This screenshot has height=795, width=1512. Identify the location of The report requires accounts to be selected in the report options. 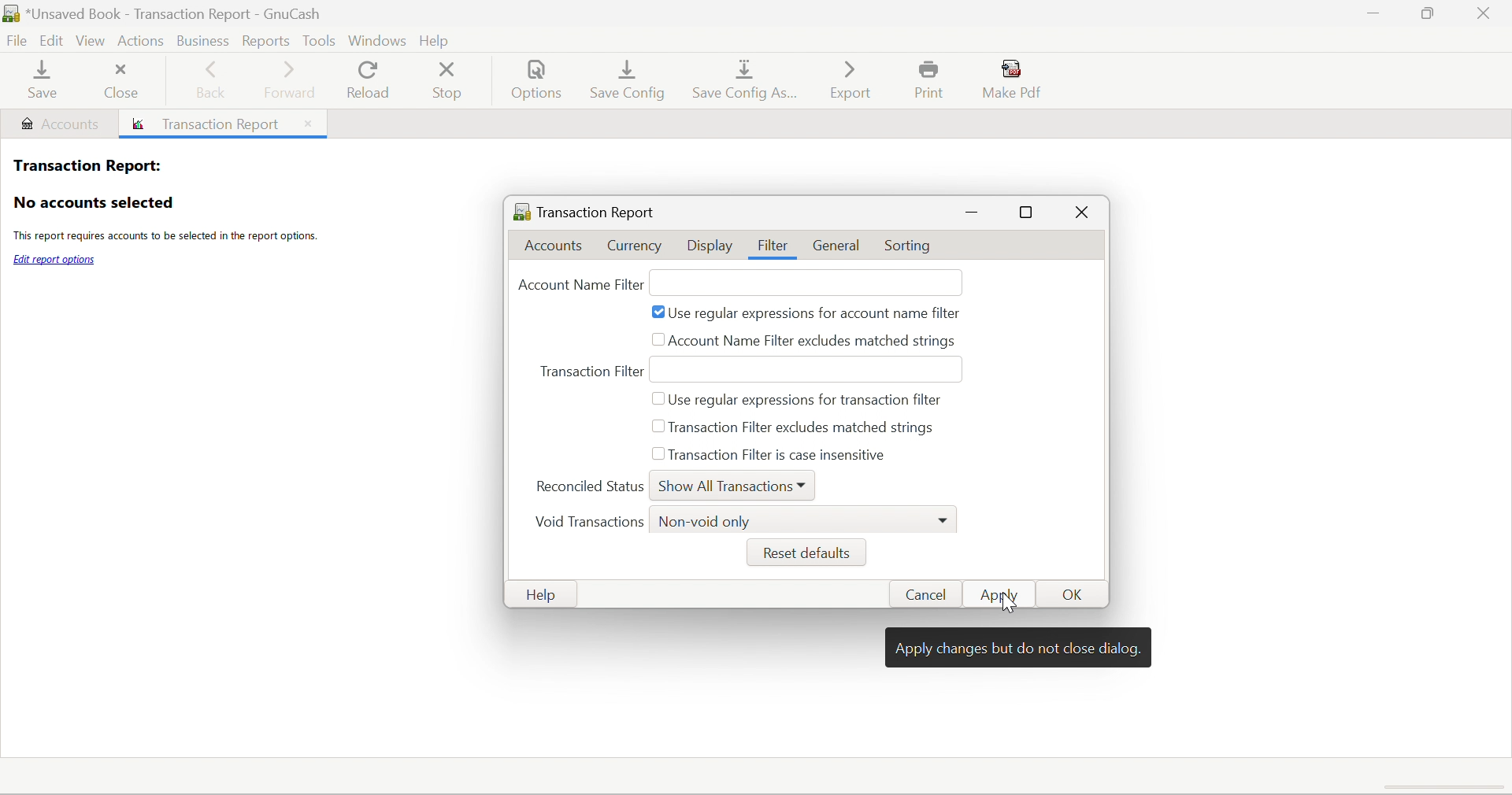
(164, 238).